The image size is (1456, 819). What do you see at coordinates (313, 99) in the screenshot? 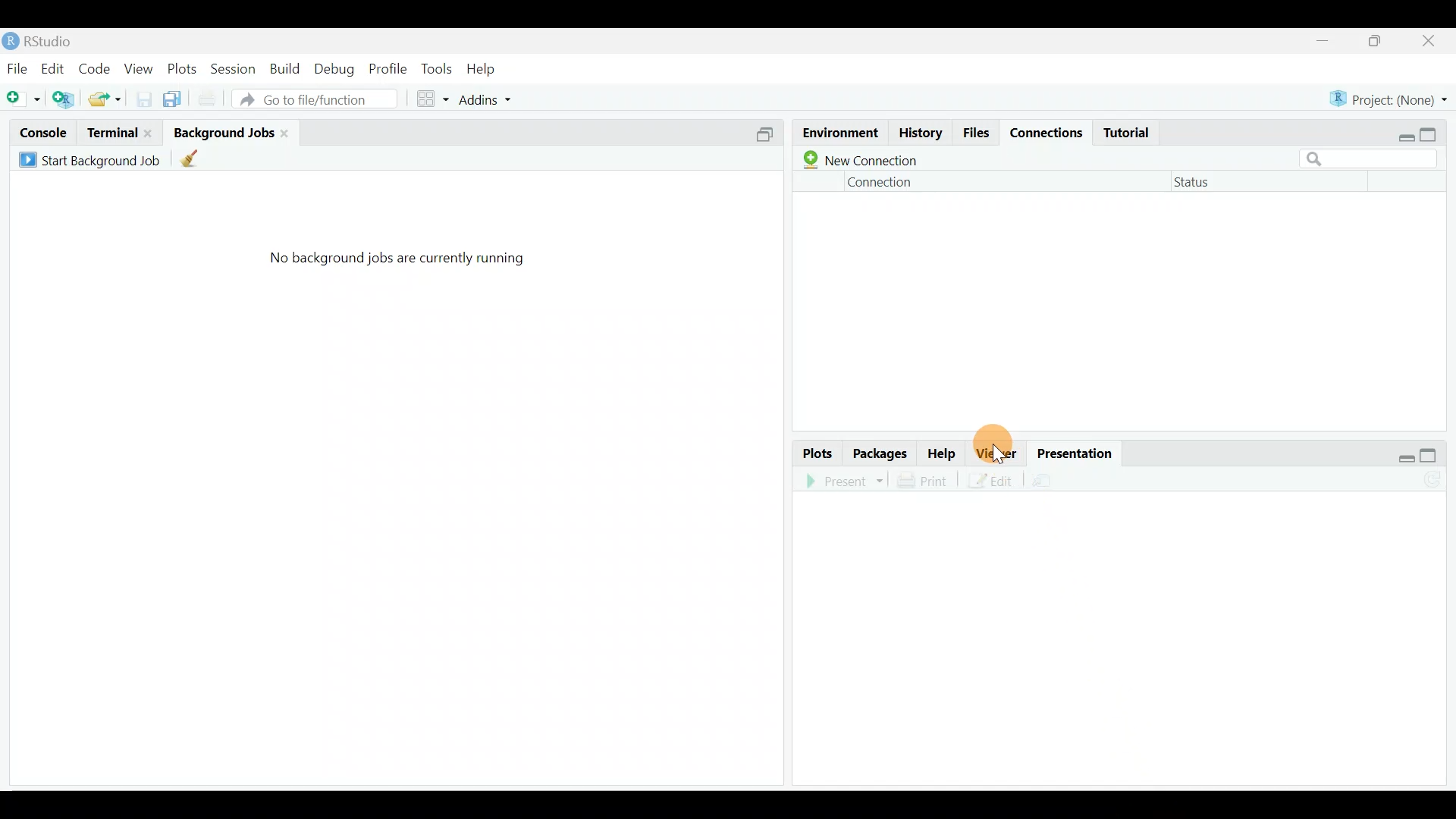
I see `Go to file/function` at bounding box center [313, 99].